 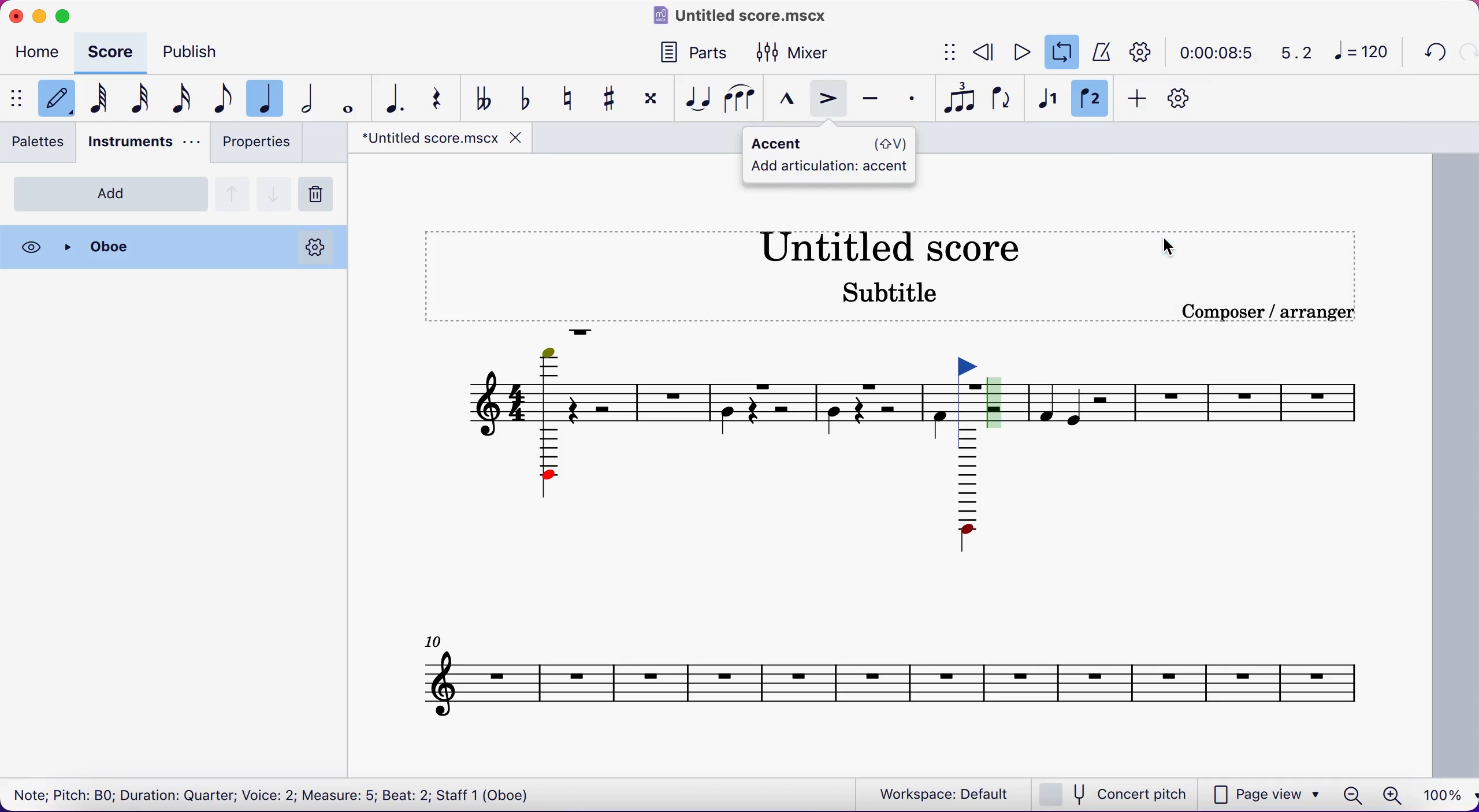 What do you see at coordinates (831, 154) in the screenshot?
I see `accent add articulation accen` at bounding box center [831, 154].